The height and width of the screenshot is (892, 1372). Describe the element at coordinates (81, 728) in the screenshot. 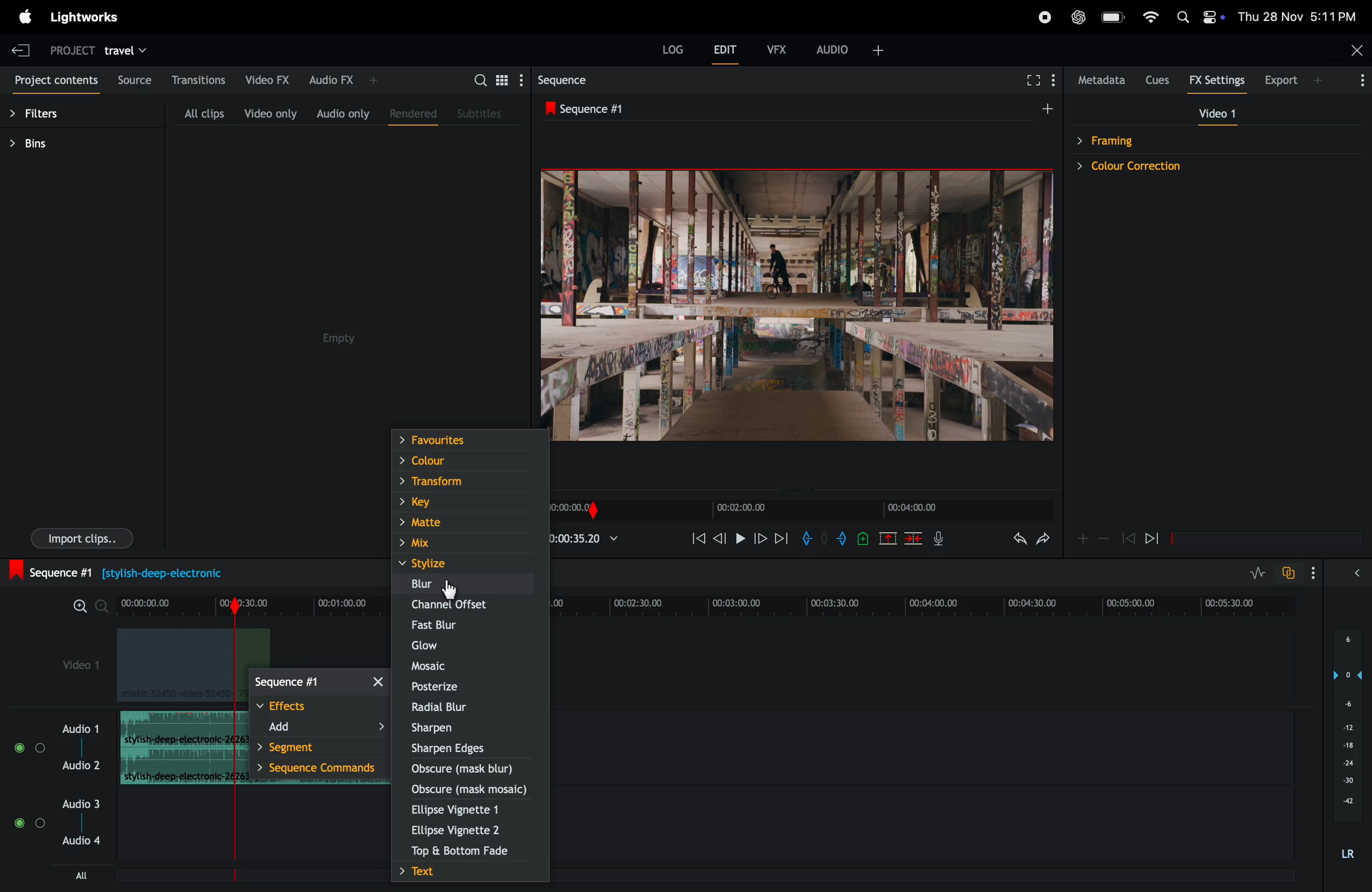

I see `audio 1 and 2` at that location.